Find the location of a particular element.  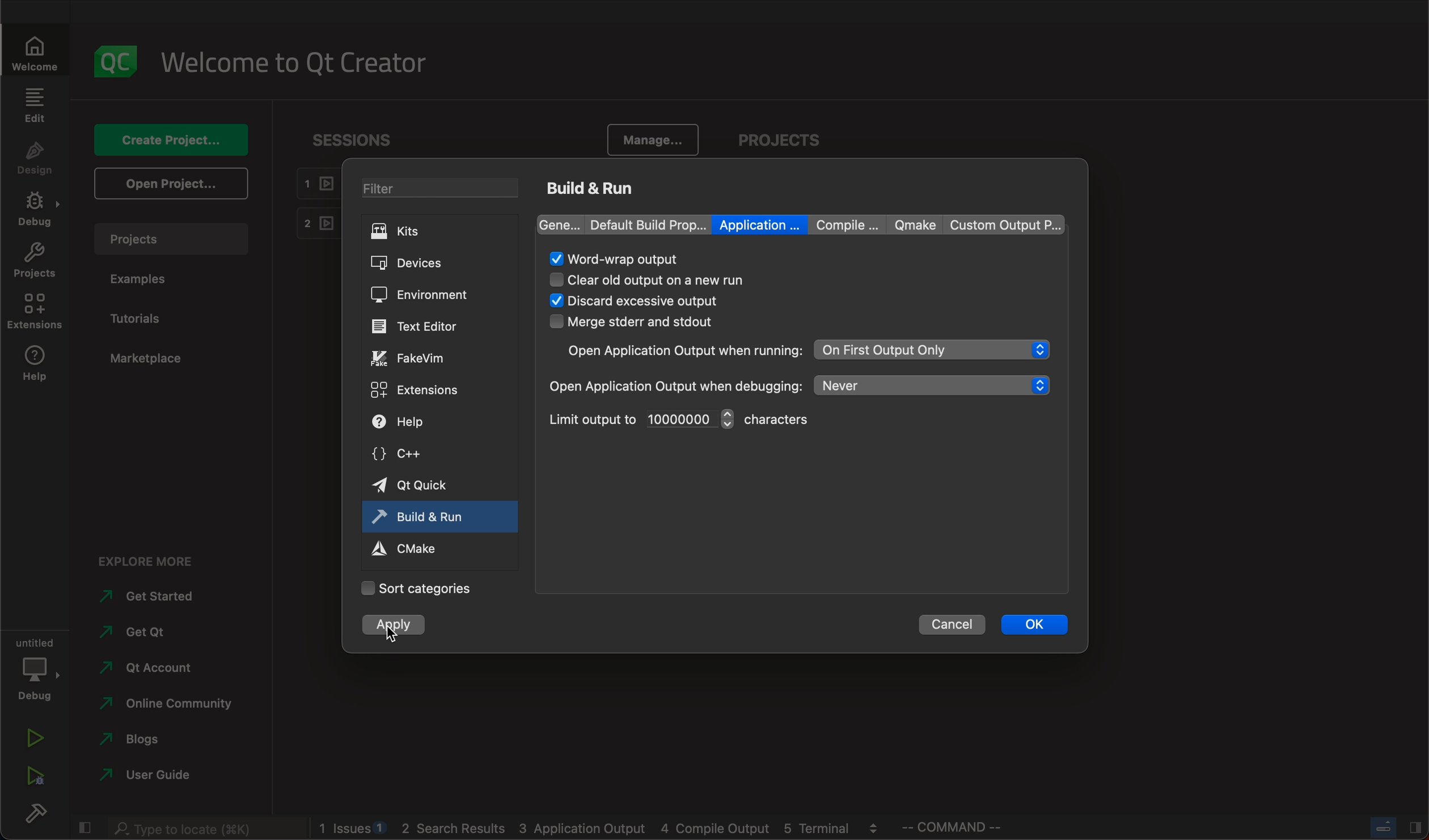

compile is located at coordinates (844, 226).